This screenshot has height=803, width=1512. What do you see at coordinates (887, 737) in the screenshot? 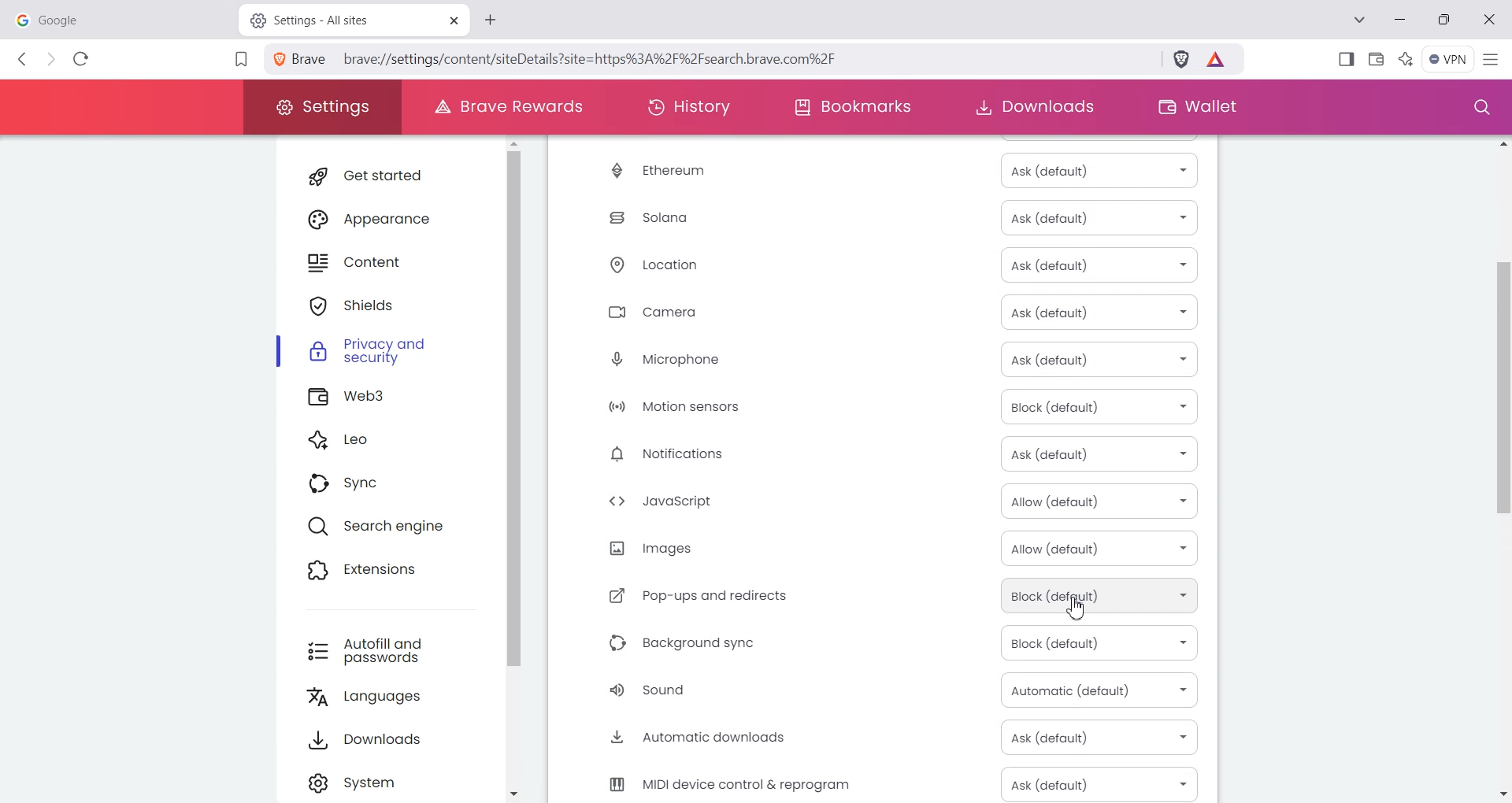
I see `Automatic downloads Ask (Default)` at bounding box center [887, 737].